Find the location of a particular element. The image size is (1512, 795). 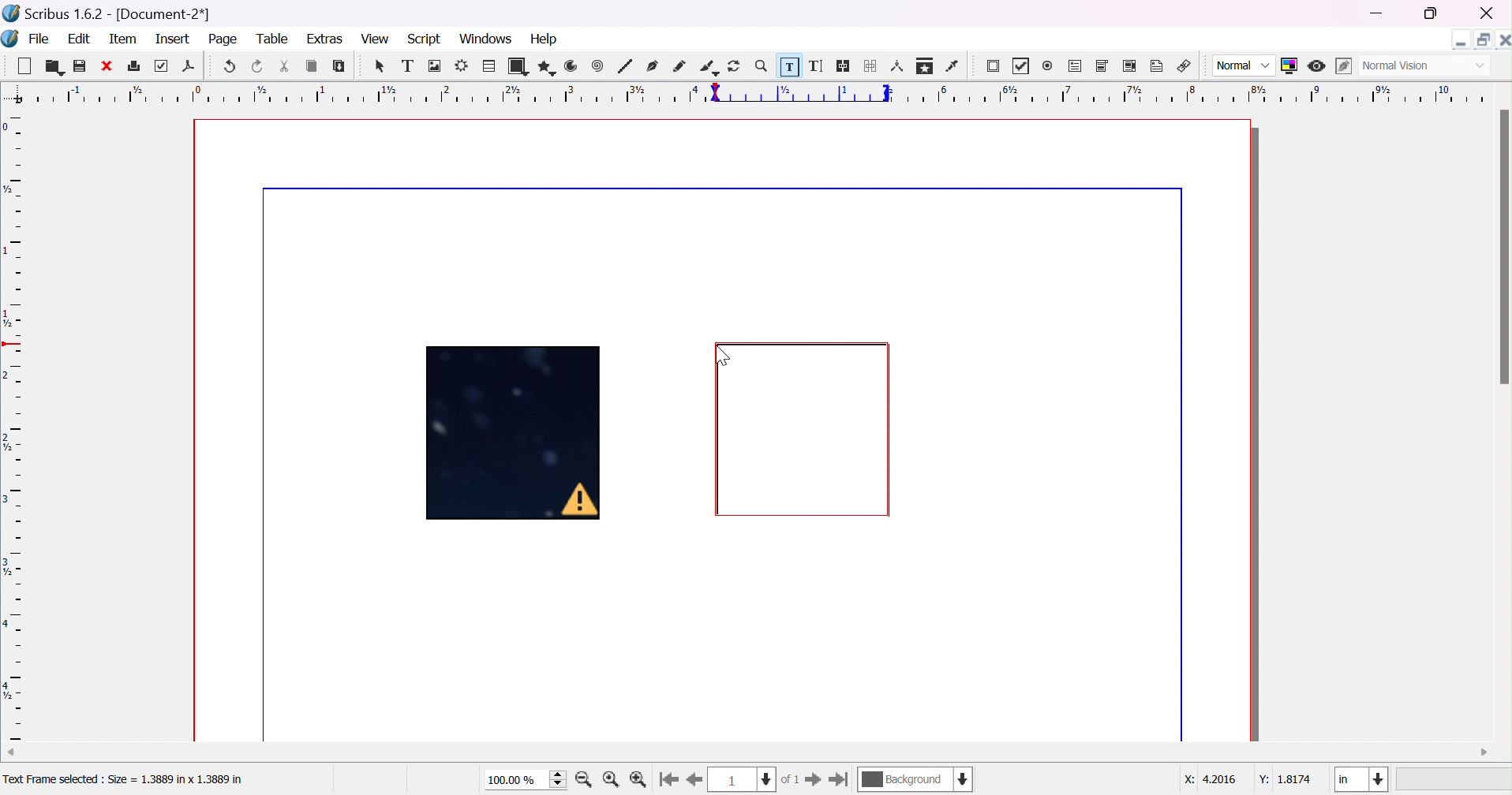

PDF push button is located at coordinates (995, 68).